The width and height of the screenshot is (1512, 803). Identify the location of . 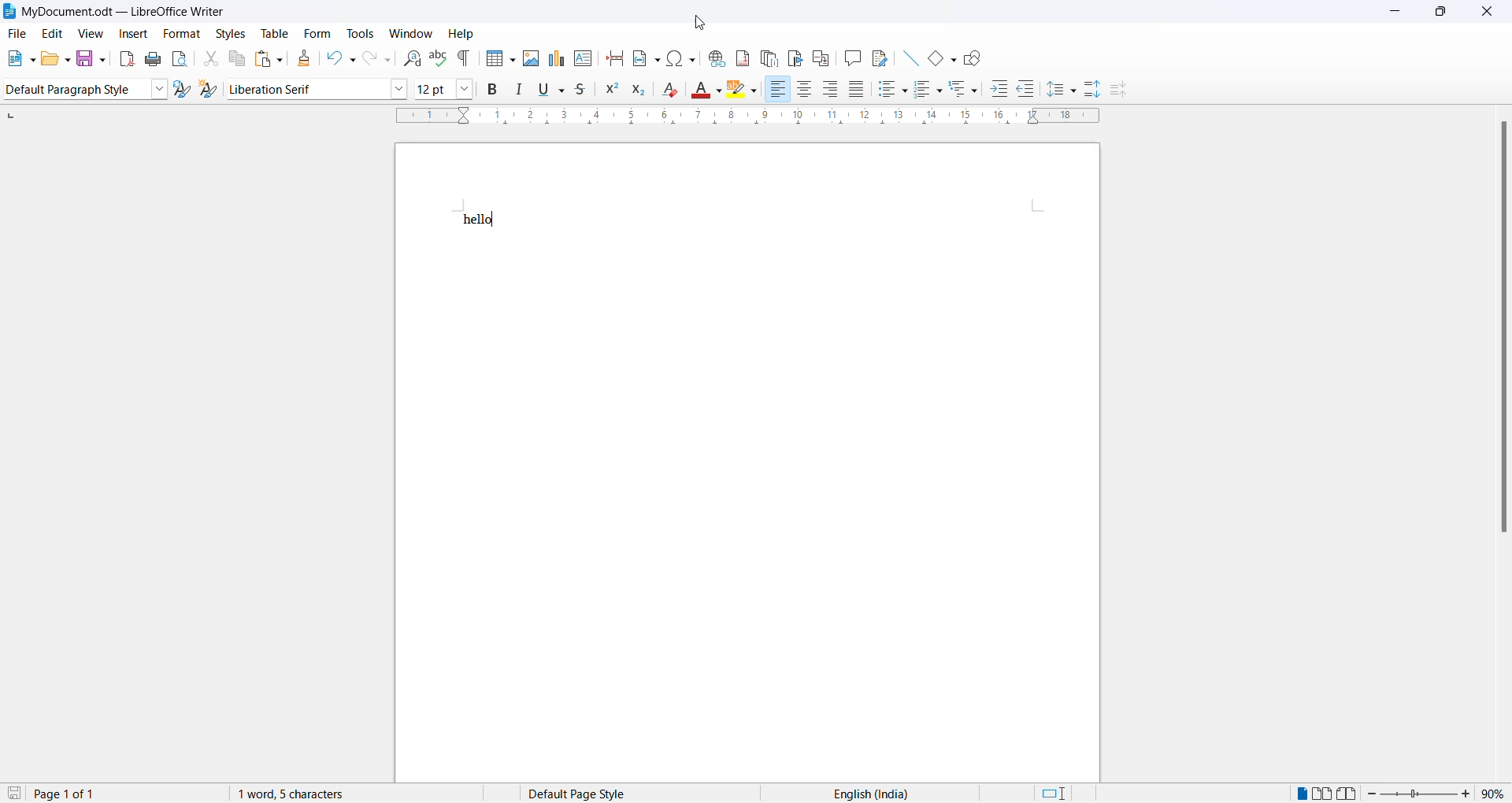
(1026, 90).